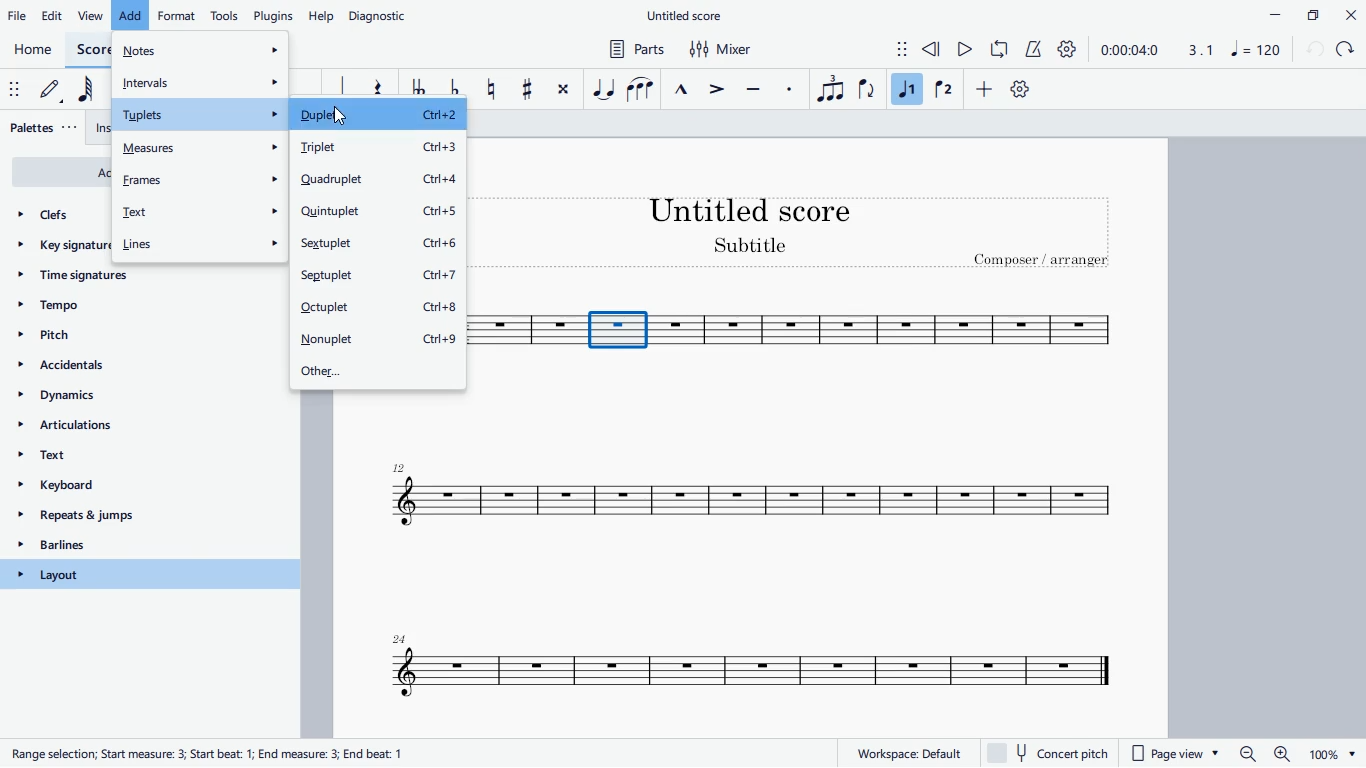  What do you see at coordinates (687, 16) in the screenshot?
I see `untitled score` at bounding box center [687, 16].